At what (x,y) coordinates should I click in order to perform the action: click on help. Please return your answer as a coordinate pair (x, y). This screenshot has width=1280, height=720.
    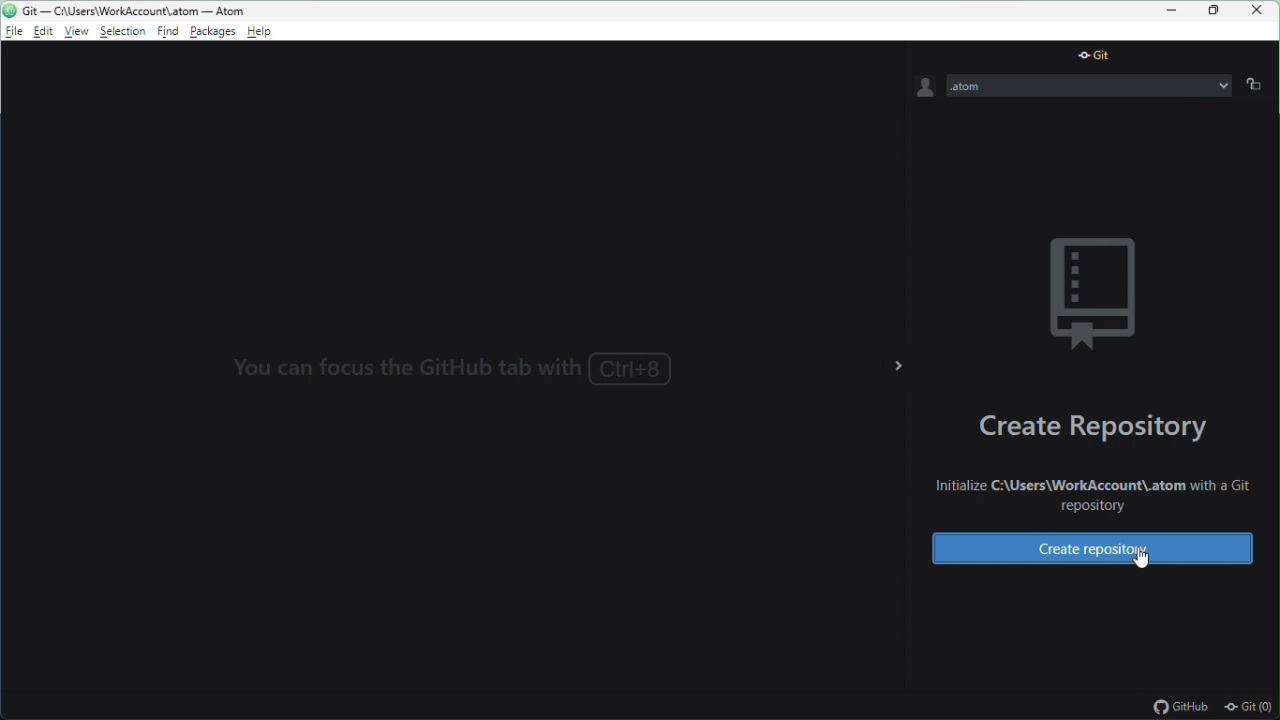
    Looking at the image, I should click on (260, 32).